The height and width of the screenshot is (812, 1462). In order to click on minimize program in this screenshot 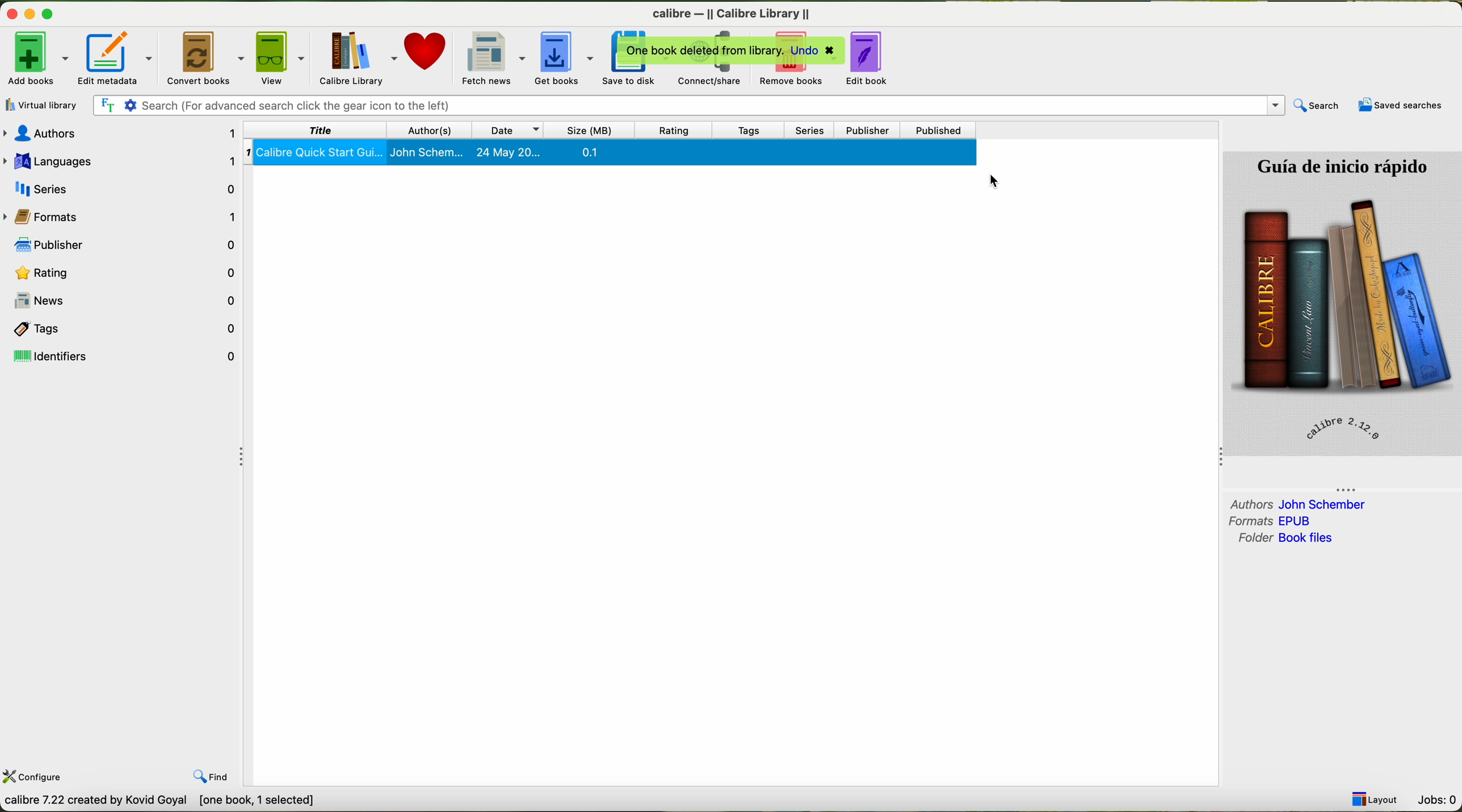, I will do `click(29, 15)`.